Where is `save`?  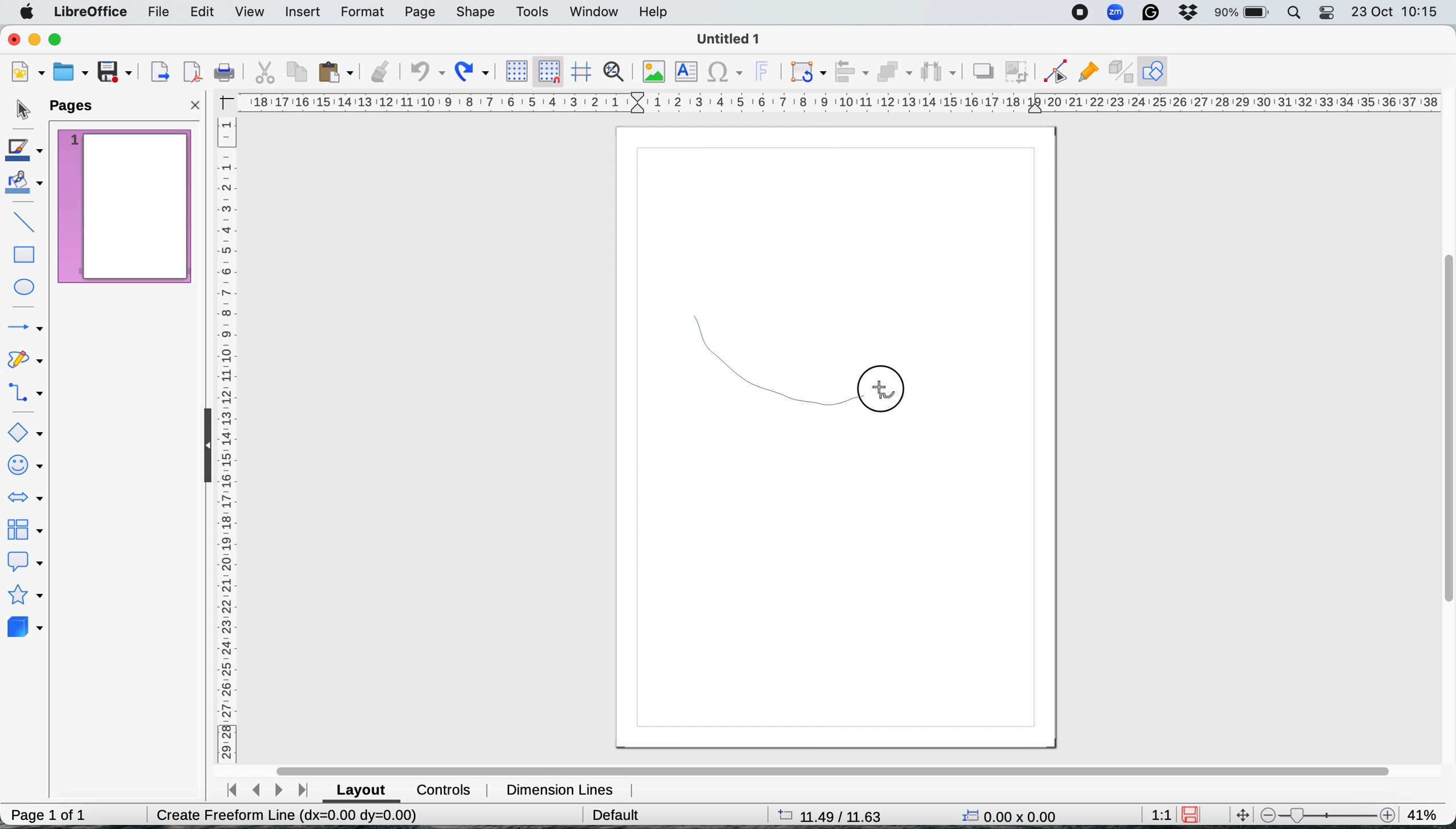
save is located at coordinates (1189, 816).